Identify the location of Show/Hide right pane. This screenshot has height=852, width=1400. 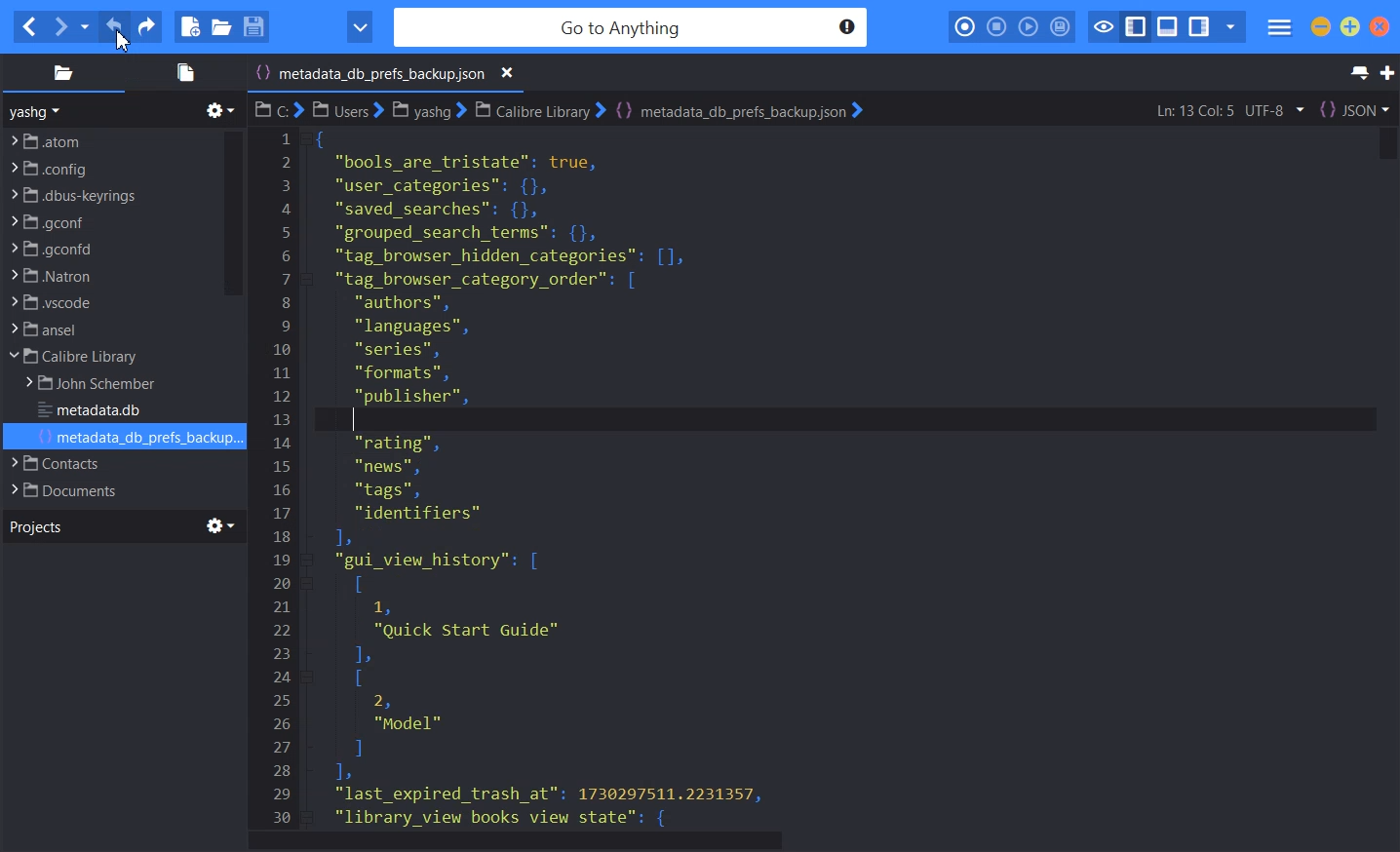
(1199, 27).